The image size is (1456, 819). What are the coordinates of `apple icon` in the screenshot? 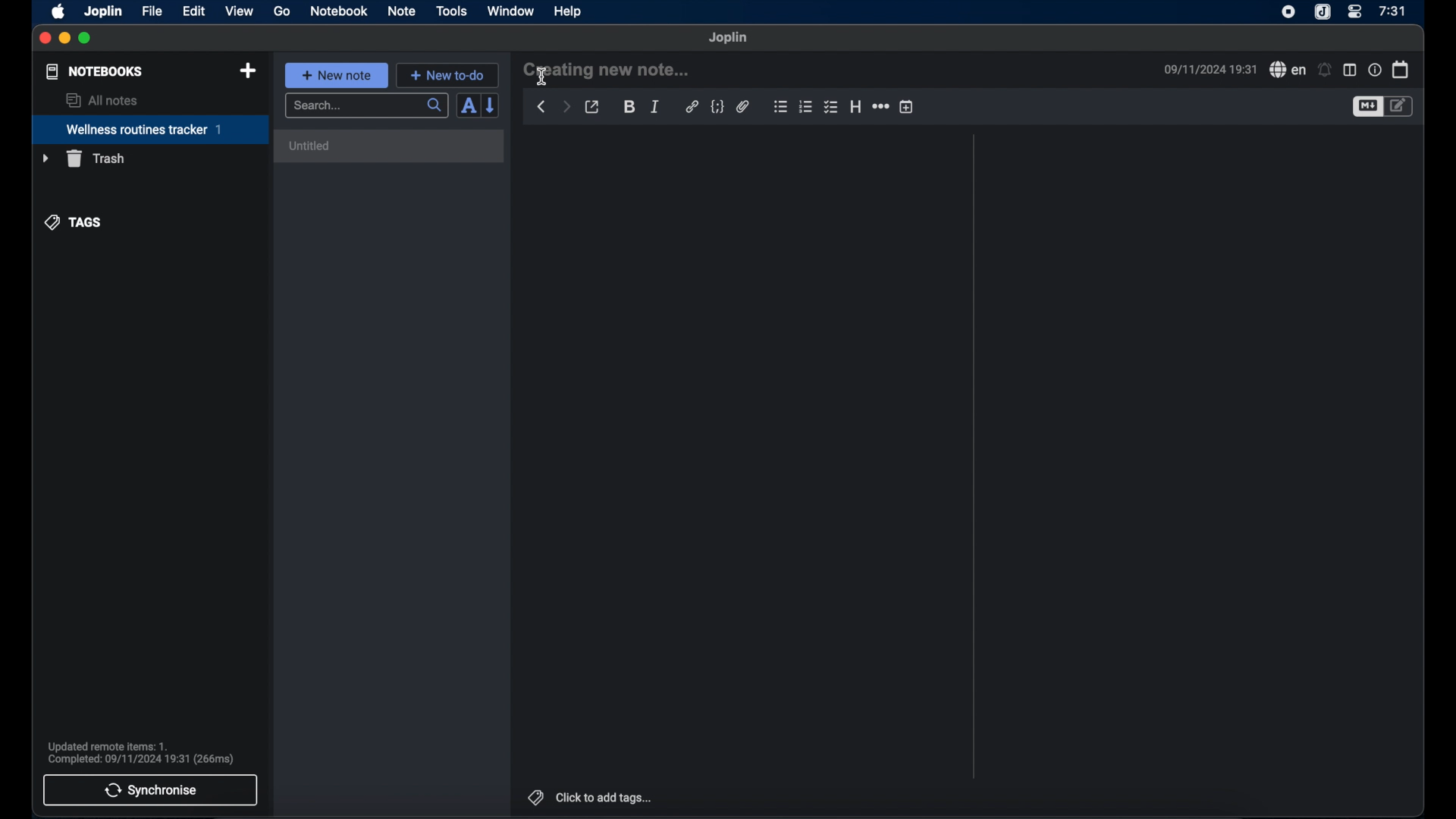 It's located at (59, 12).